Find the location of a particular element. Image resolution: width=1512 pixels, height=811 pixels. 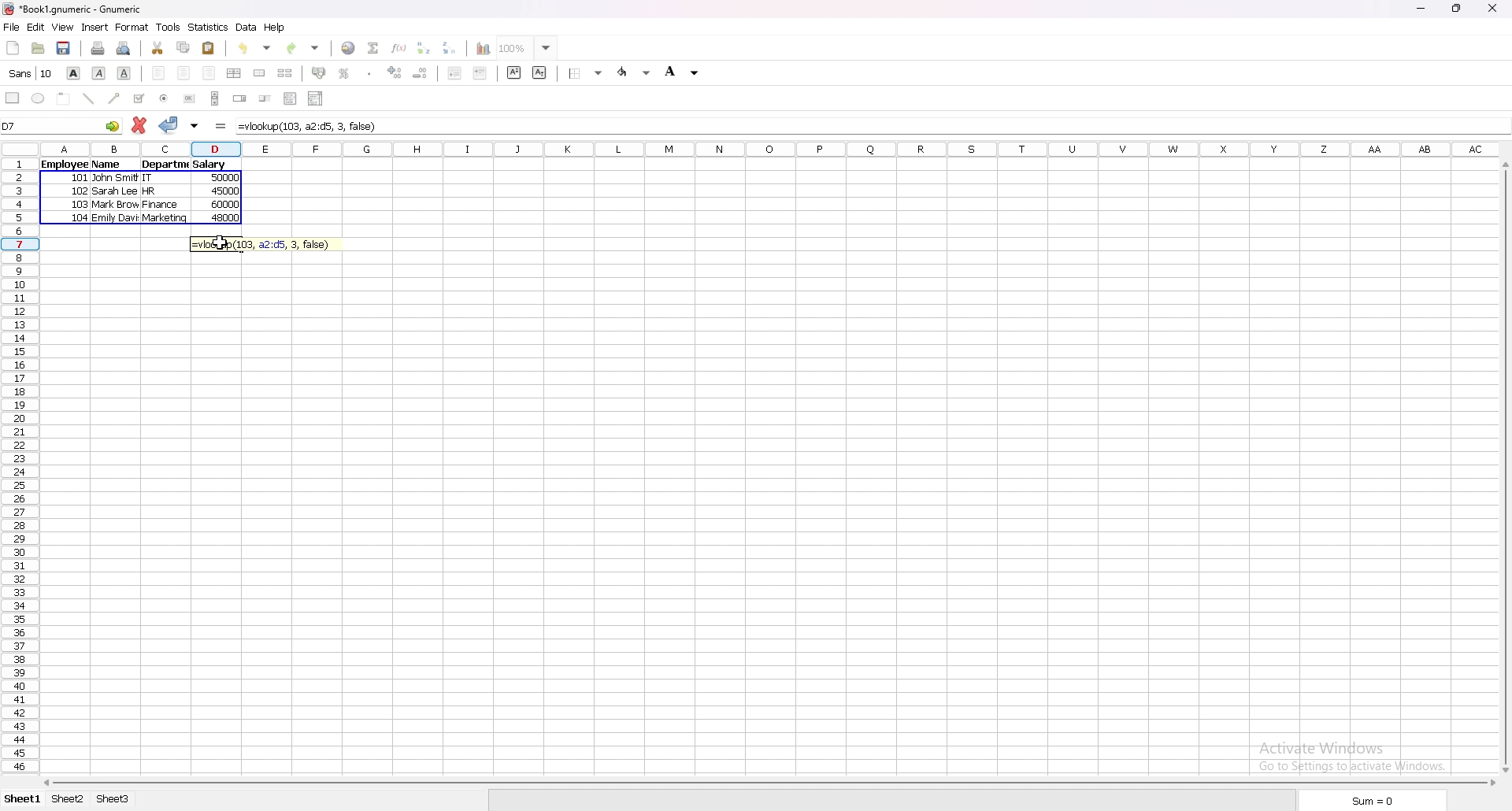

percentage is located at coordinates (345, 72).